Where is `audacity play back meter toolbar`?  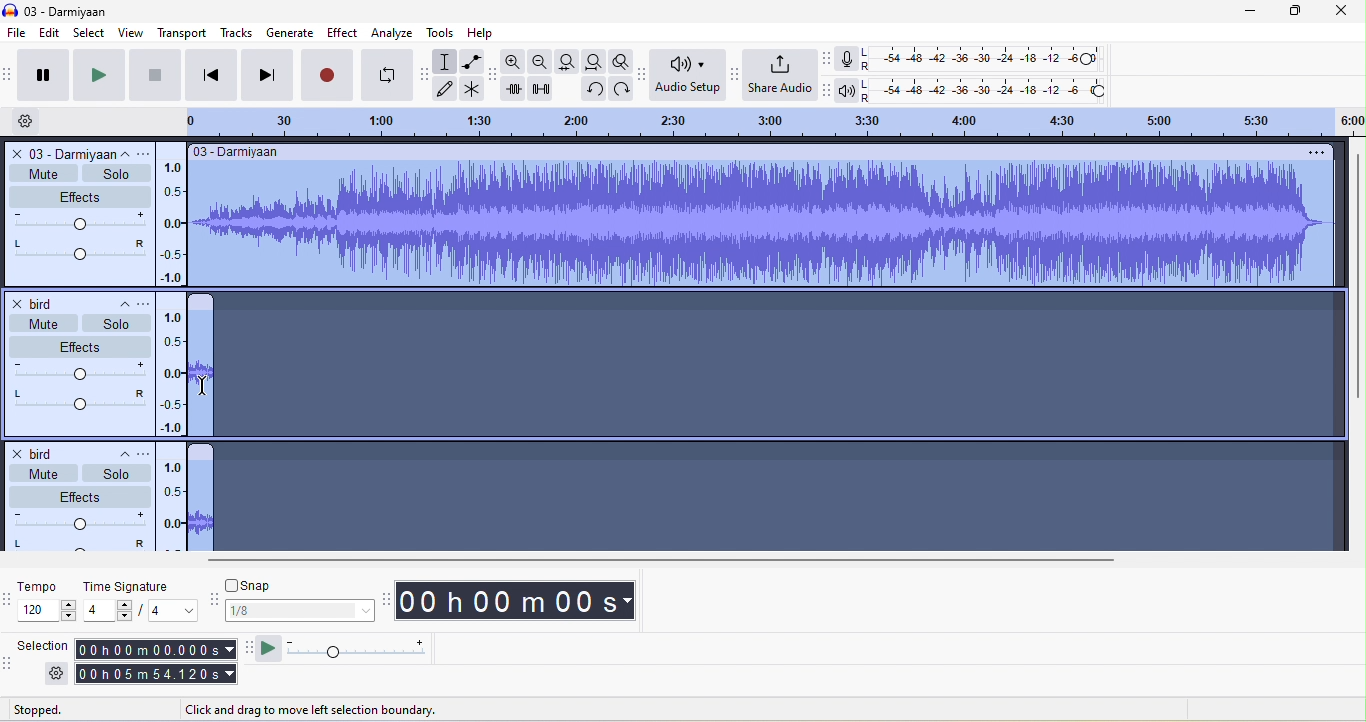 audacity play back meter toolbar is located at coordinates (832, 90).